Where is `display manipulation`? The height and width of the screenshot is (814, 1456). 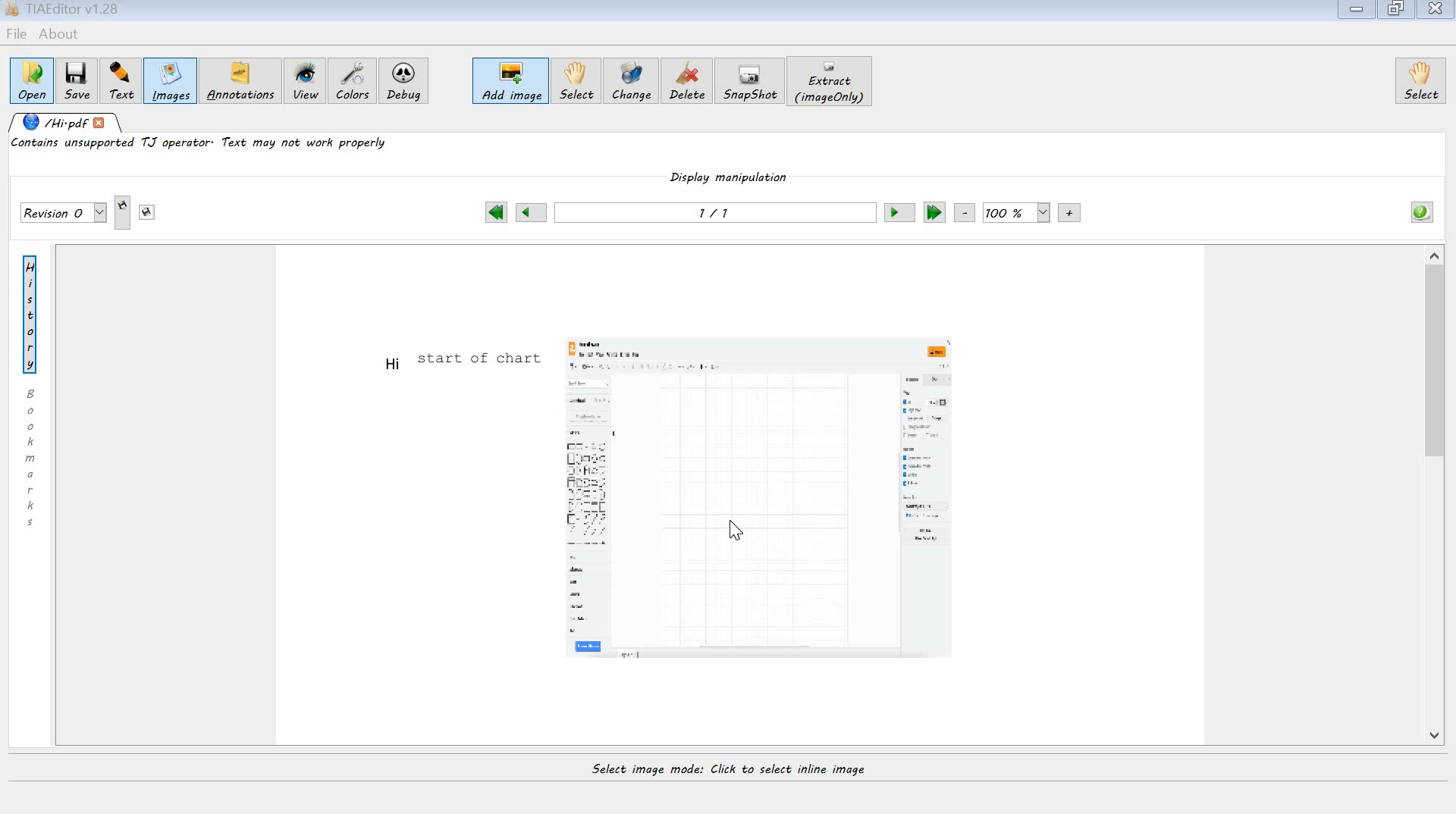 display manipulation is located at coordinates (731, 182).